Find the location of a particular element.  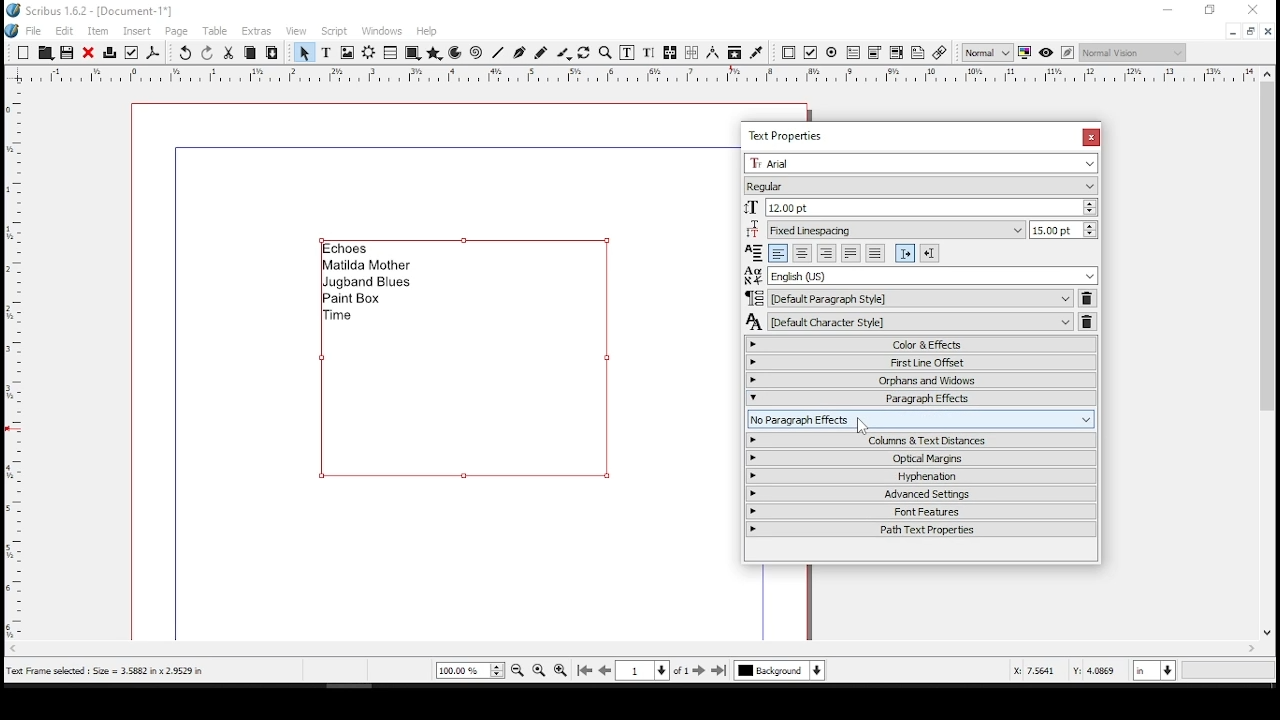

help is located at coordinates (426, 31).